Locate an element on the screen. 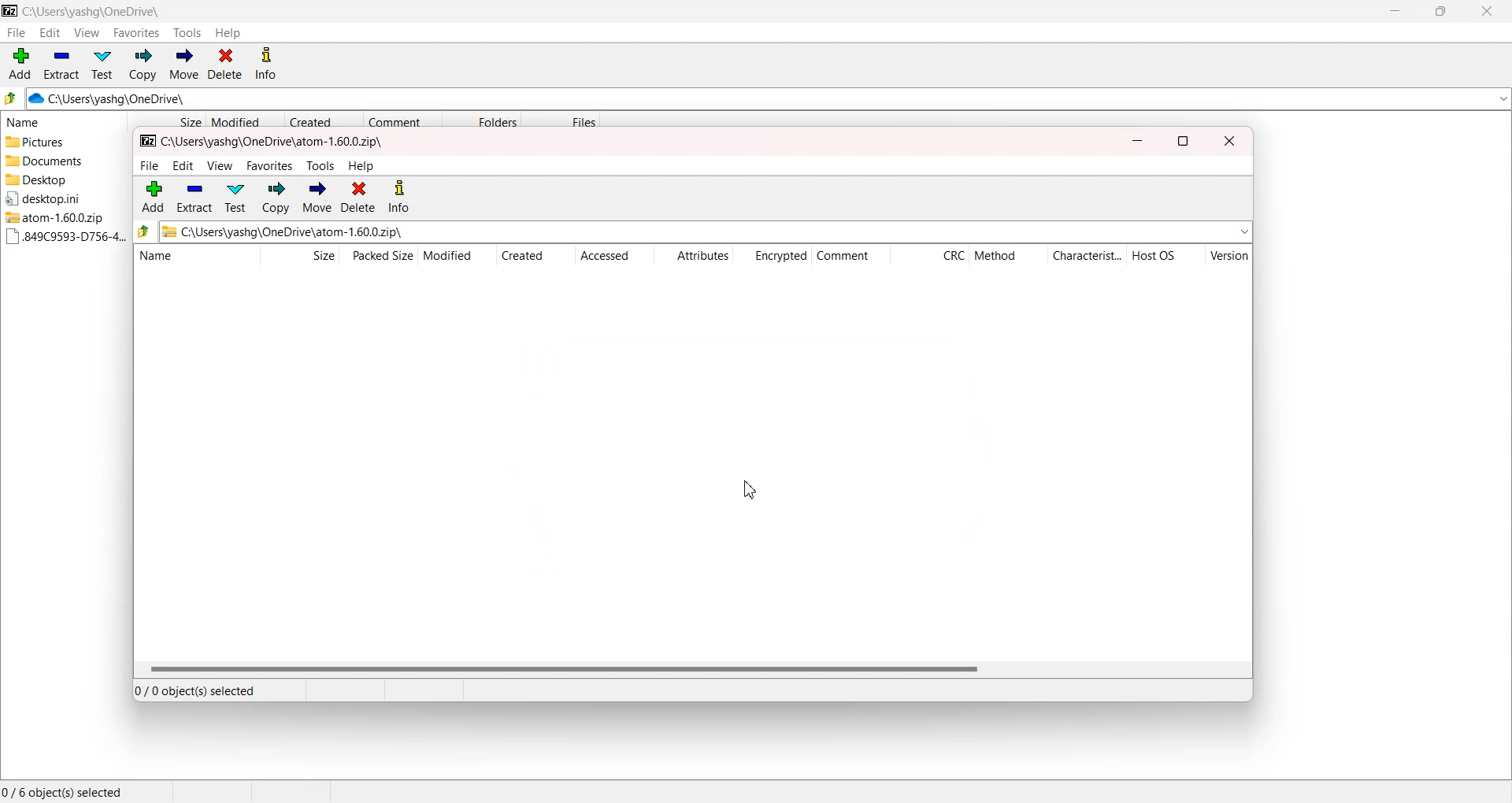 The image size is (1512, 803). extract is located at coordinates (194, 197).